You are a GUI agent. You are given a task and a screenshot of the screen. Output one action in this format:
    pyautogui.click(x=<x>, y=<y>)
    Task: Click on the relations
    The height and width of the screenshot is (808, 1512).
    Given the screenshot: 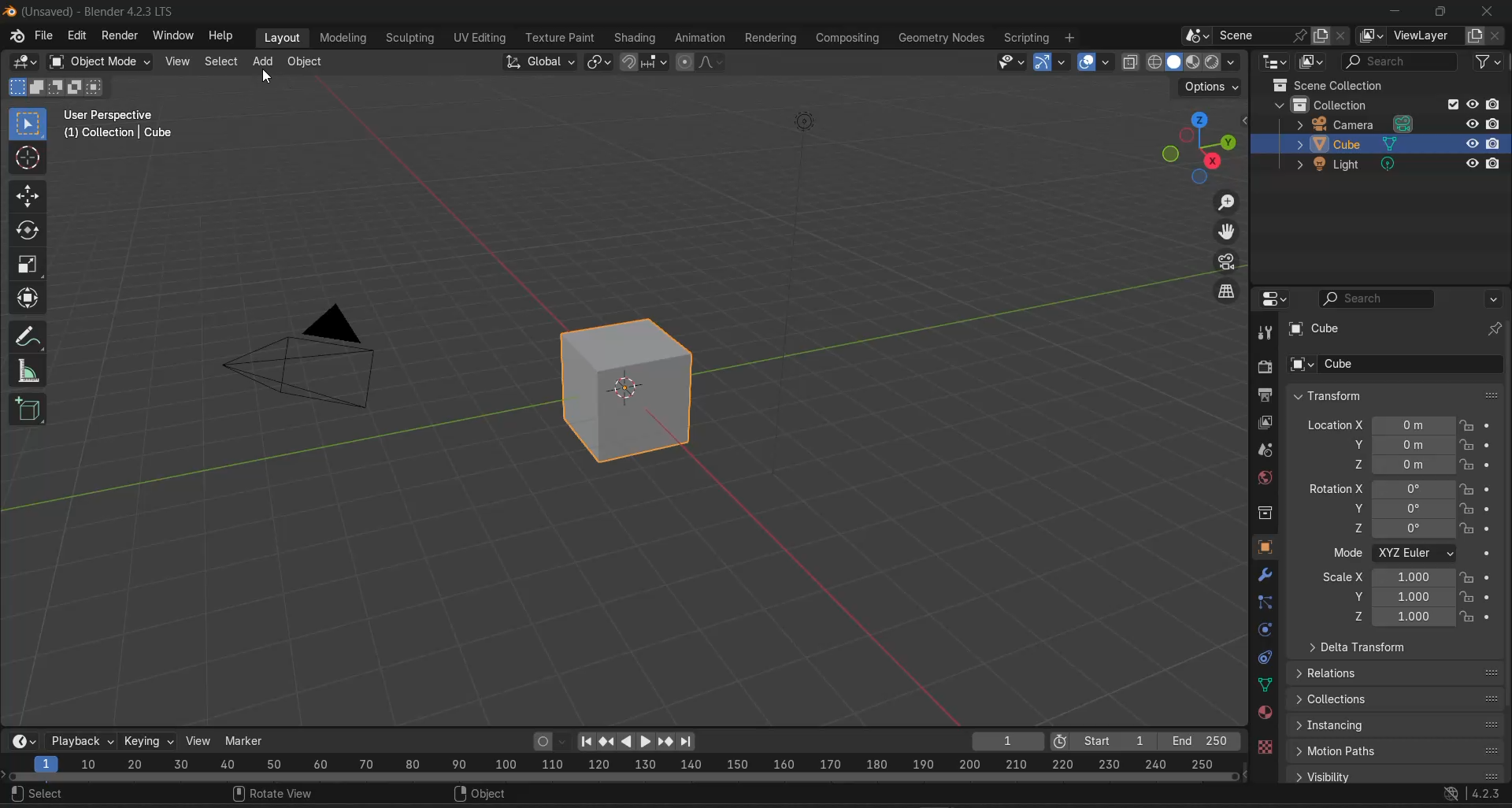 What is the action you would take?
    pyautogui.click(x=1395, y=675)
    